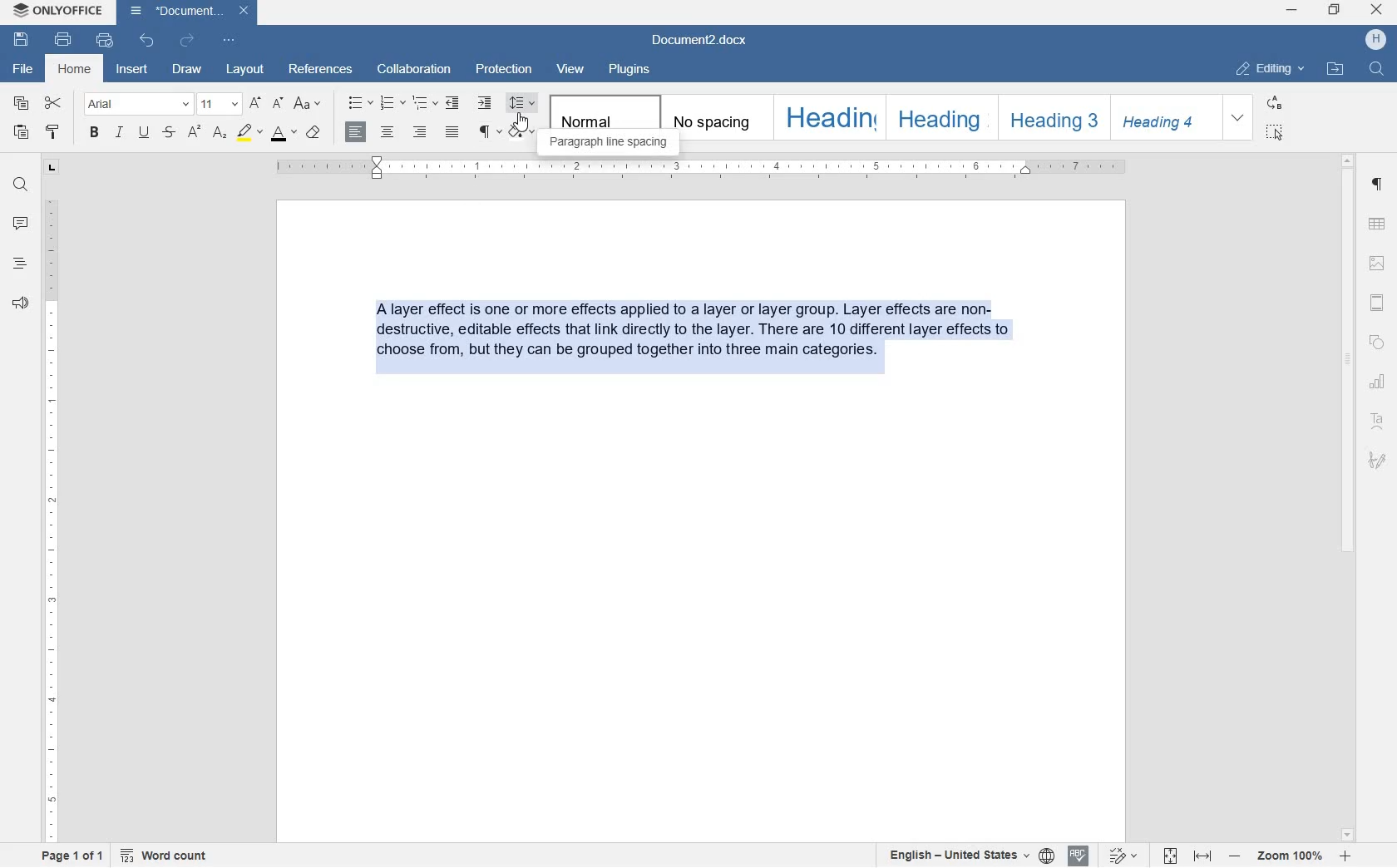 This screenshot has width=1397, height=868. Describe the element at coordinates (57, 12) in the screenshot. I see `system name` at that location.